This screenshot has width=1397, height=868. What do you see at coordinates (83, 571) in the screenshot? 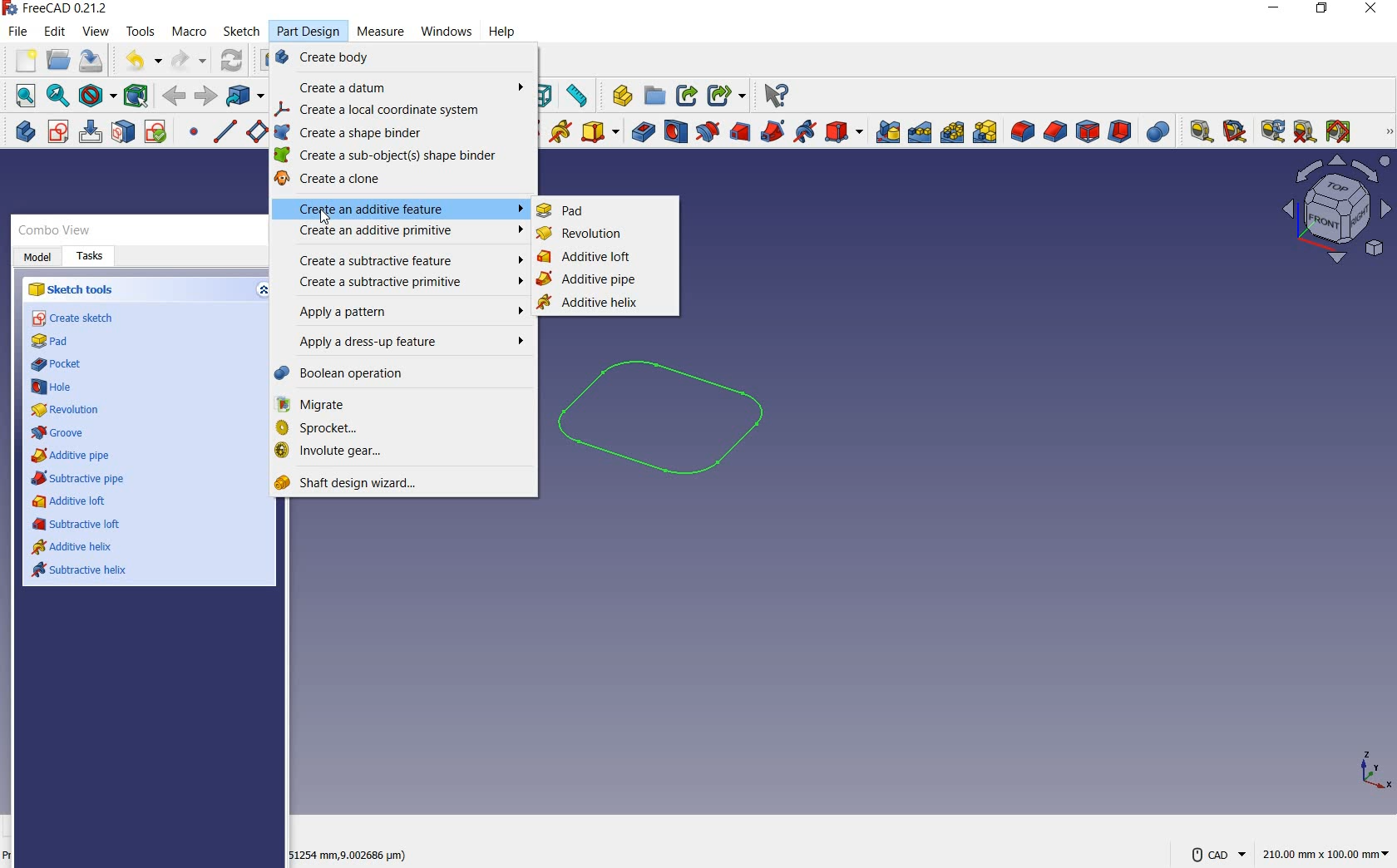
I see `subtractive helix` at bounding box center [83, 571].